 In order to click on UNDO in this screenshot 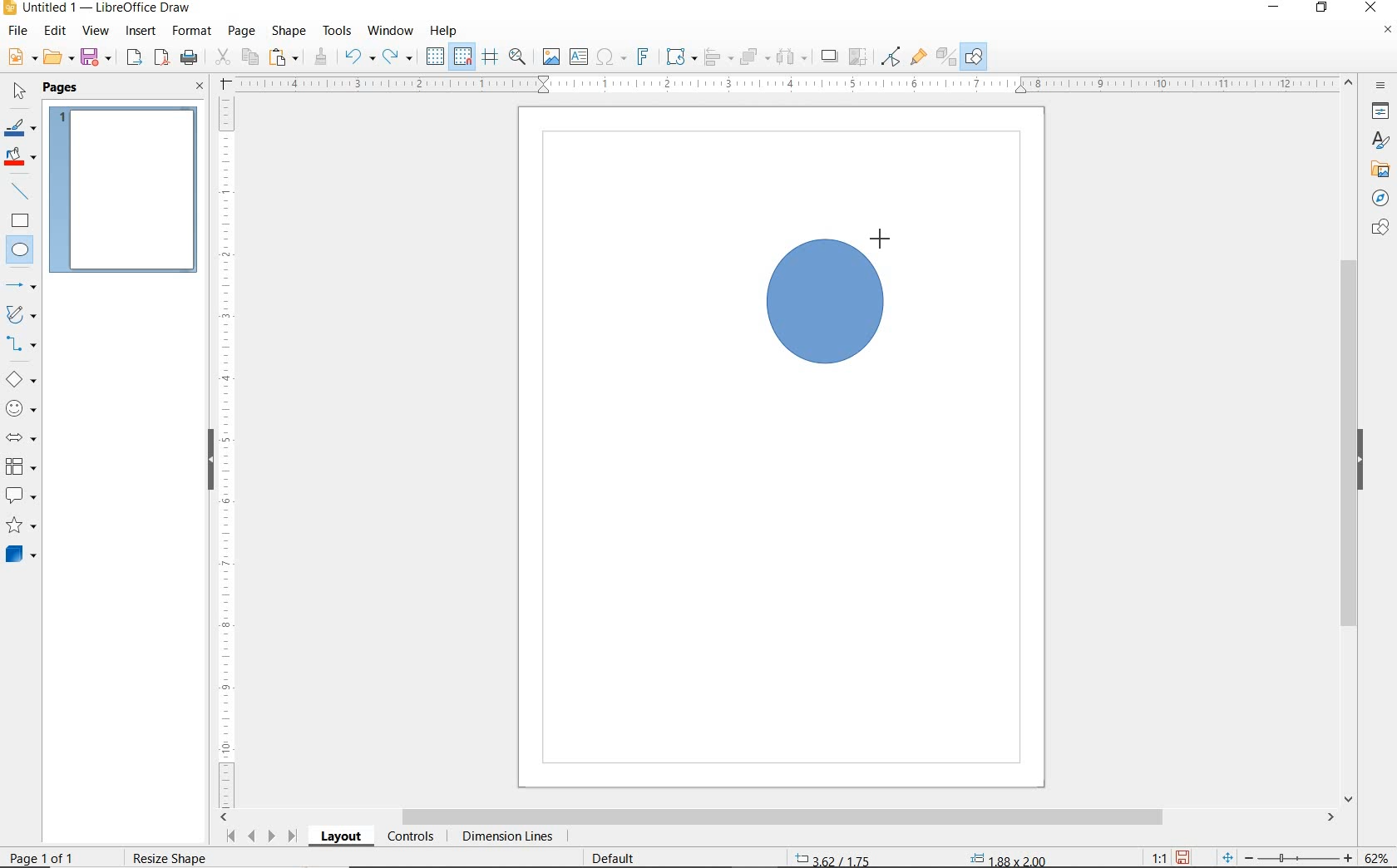, I will do `click(359, 58)`.